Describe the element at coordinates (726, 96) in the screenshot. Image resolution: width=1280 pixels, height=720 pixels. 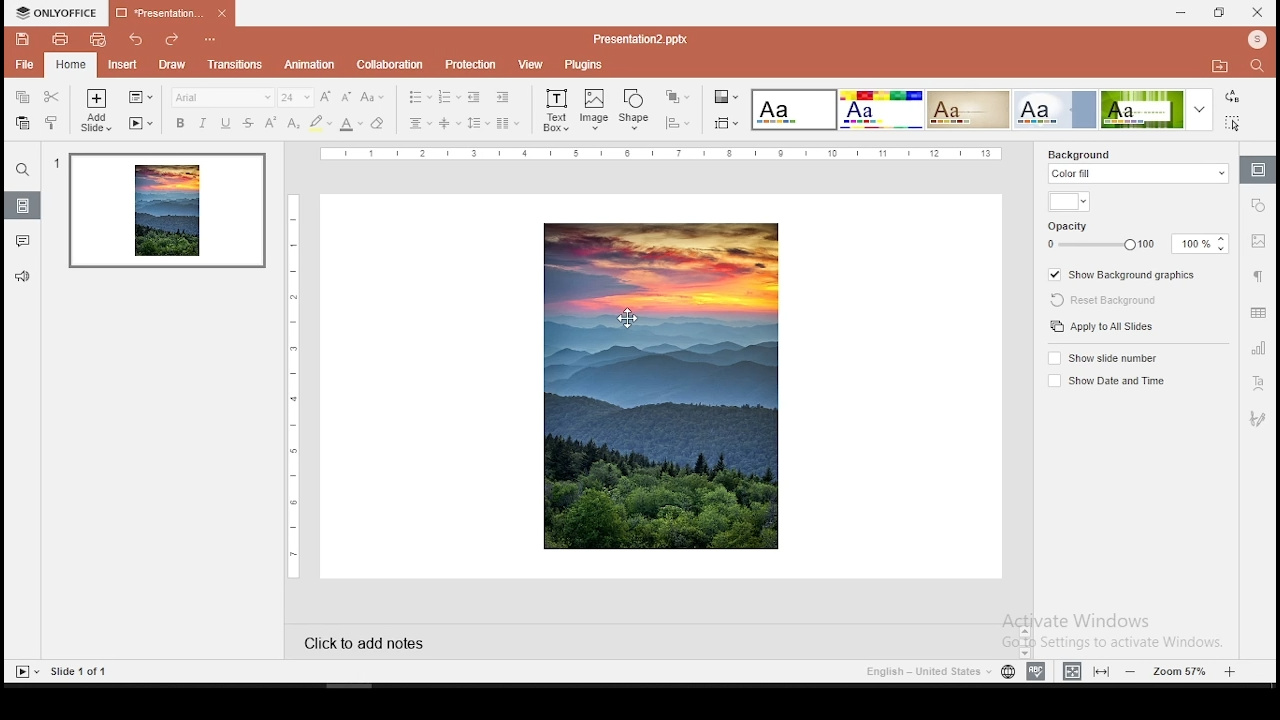
I see `change color theme` at that location.